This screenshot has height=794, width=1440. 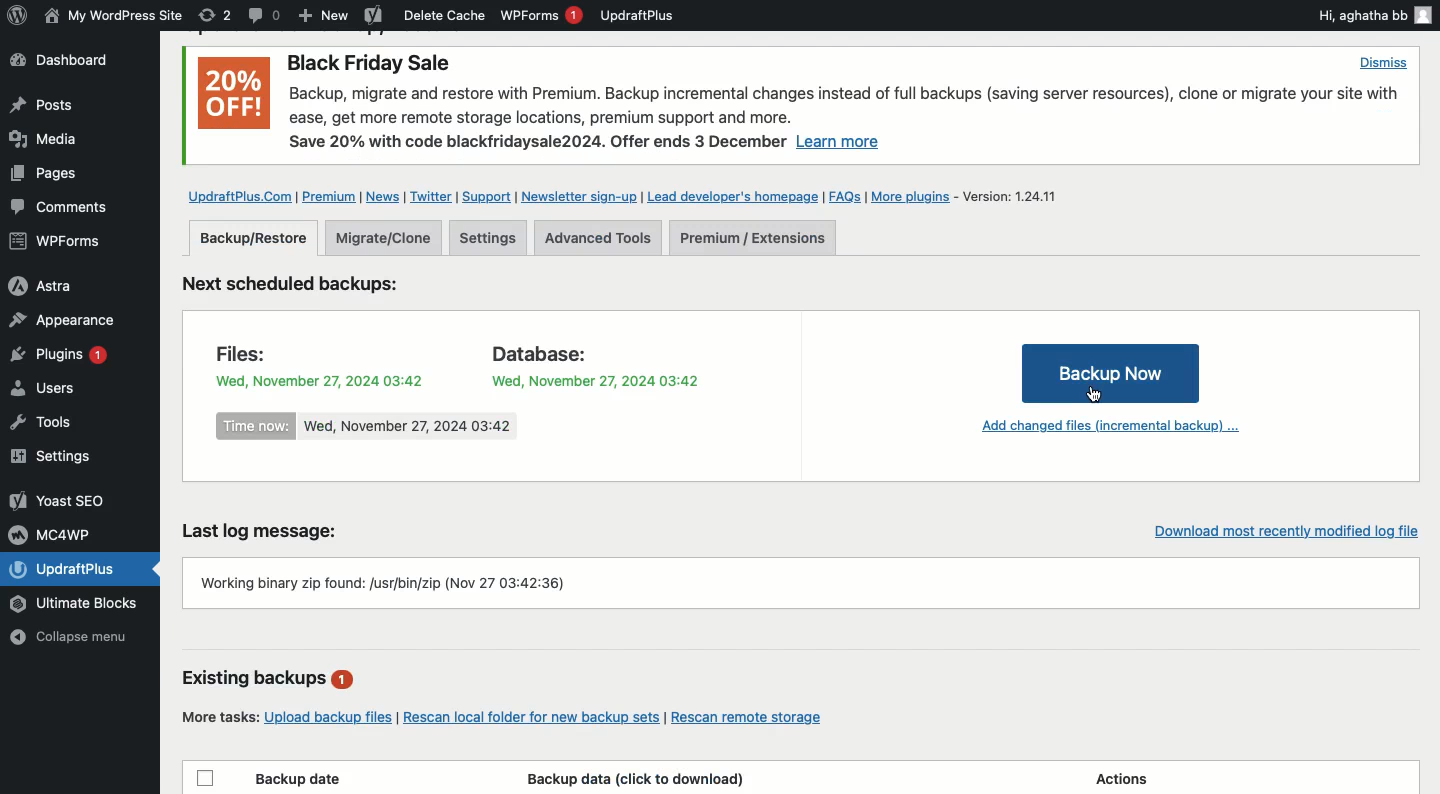 What do you see at coordinates (58, 243) in the screenshot?
I see `WPForms` at bounding box center [58, 243].